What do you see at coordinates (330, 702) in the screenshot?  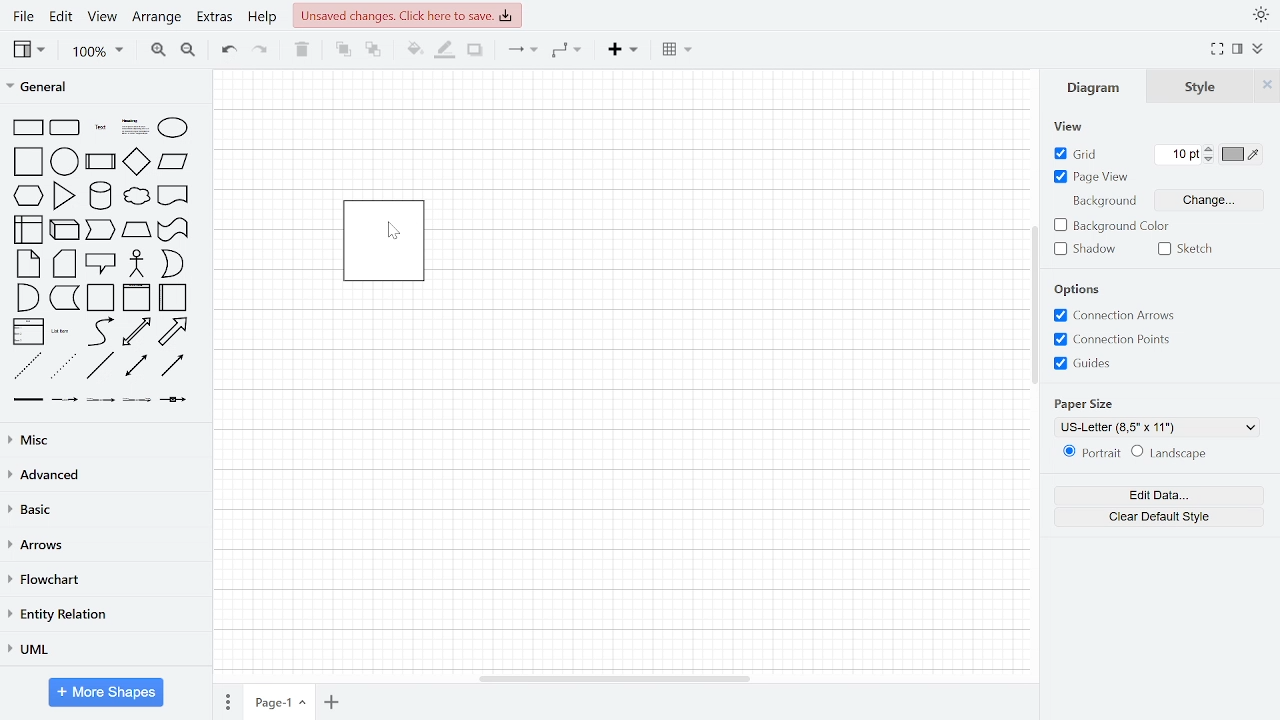 I see `add page` at bounding box center [330, 702].